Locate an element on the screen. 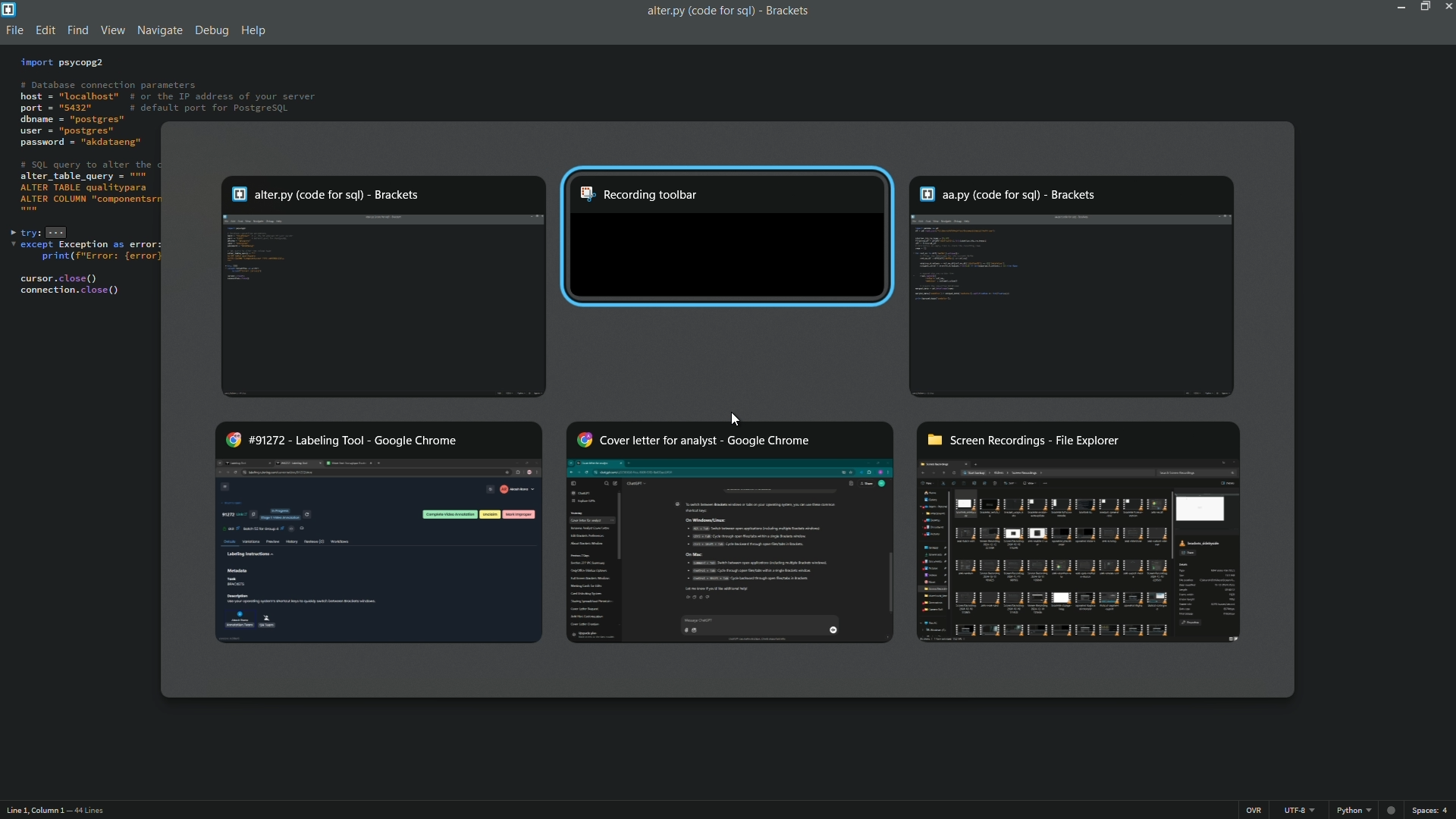  ins is located at coordinates (1254, 810).